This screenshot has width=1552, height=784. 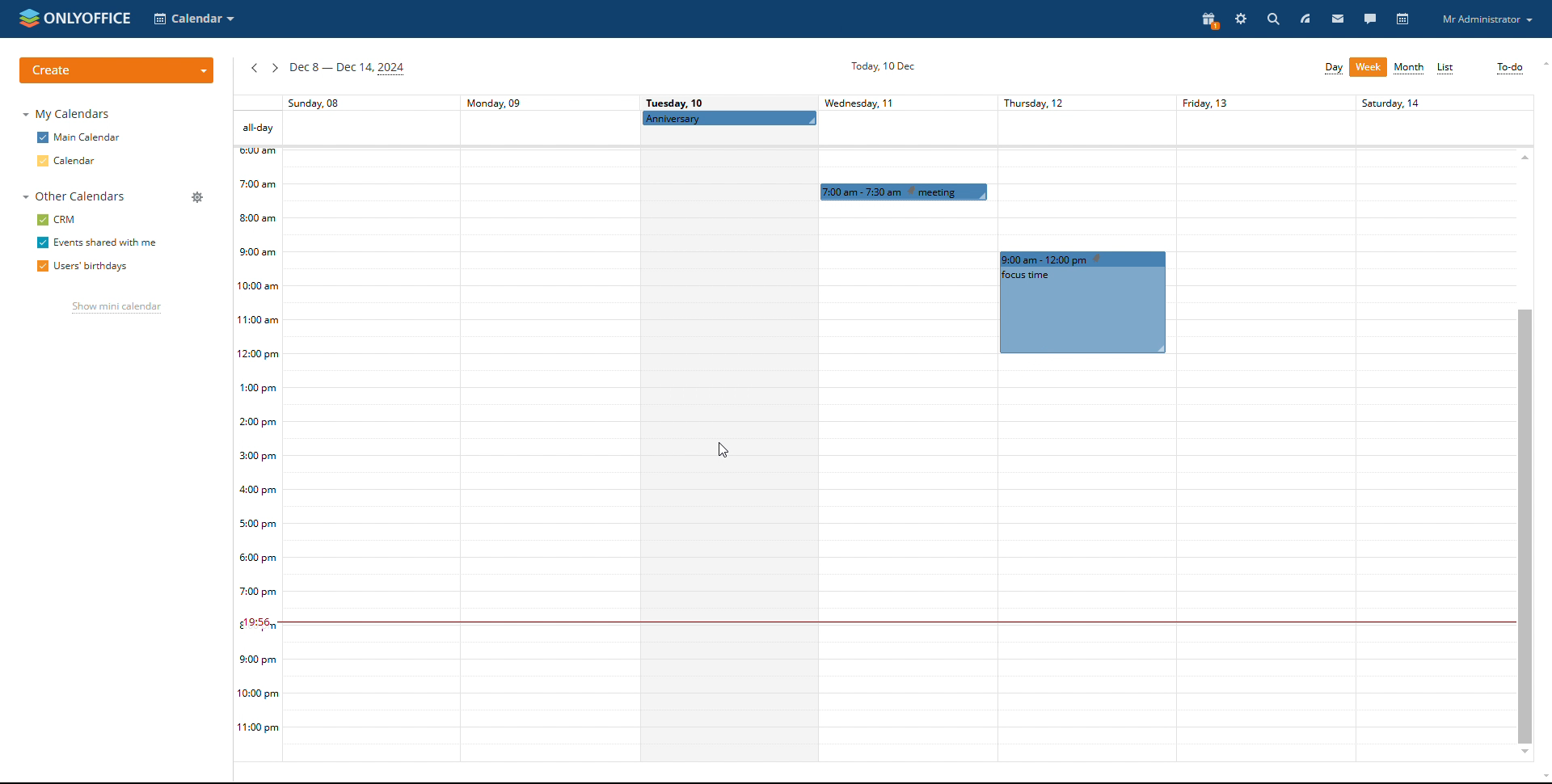 What do you see at coordinates (1082, 301) in the screenshot?
I see `event added` at bounding box center [1082, 301].